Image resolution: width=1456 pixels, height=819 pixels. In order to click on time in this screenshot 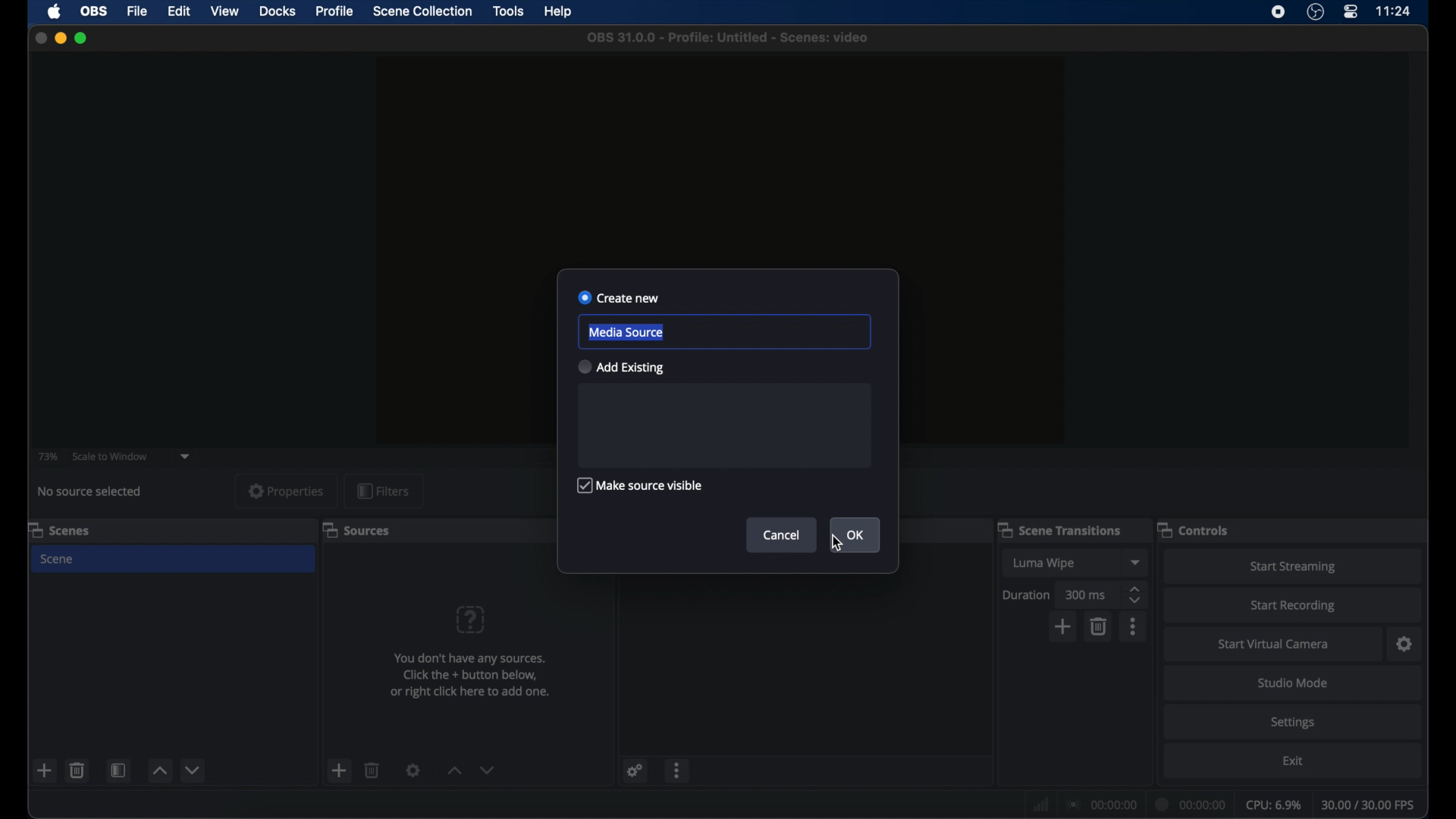, I will do `click(1393, 11)`.